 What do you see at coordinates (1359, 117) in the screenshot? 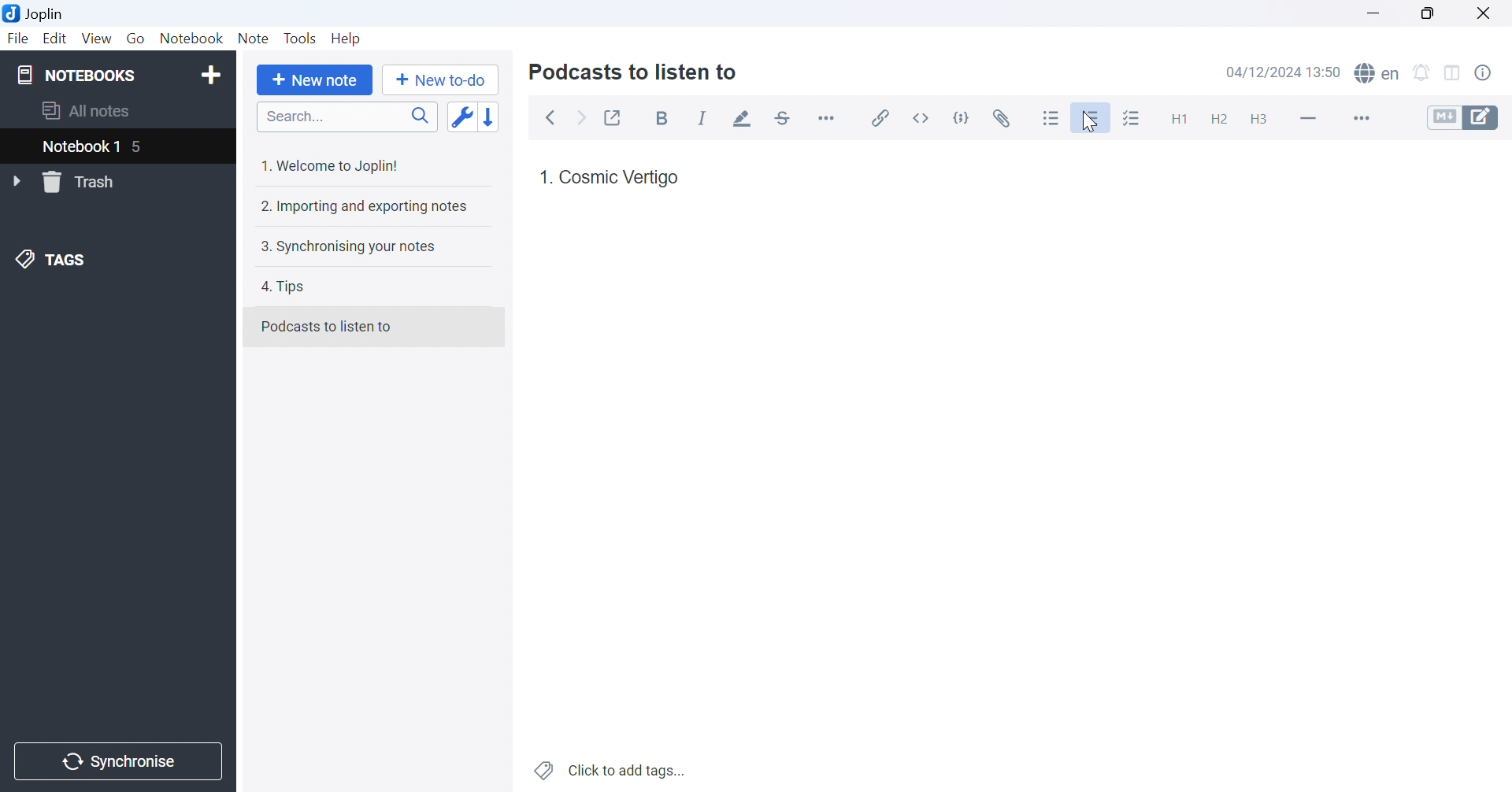
I see `More` at bounding box center [1359, 117].